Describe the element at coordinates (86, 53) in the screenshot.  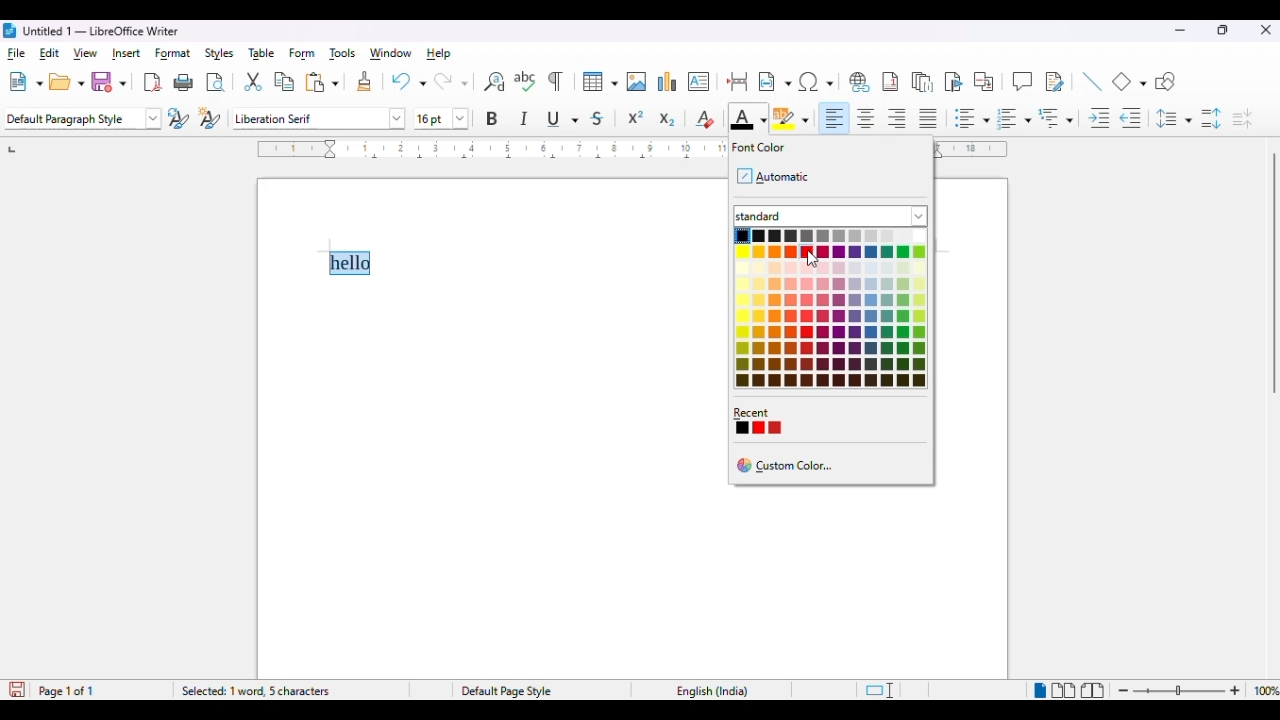
I see `view` at that location.